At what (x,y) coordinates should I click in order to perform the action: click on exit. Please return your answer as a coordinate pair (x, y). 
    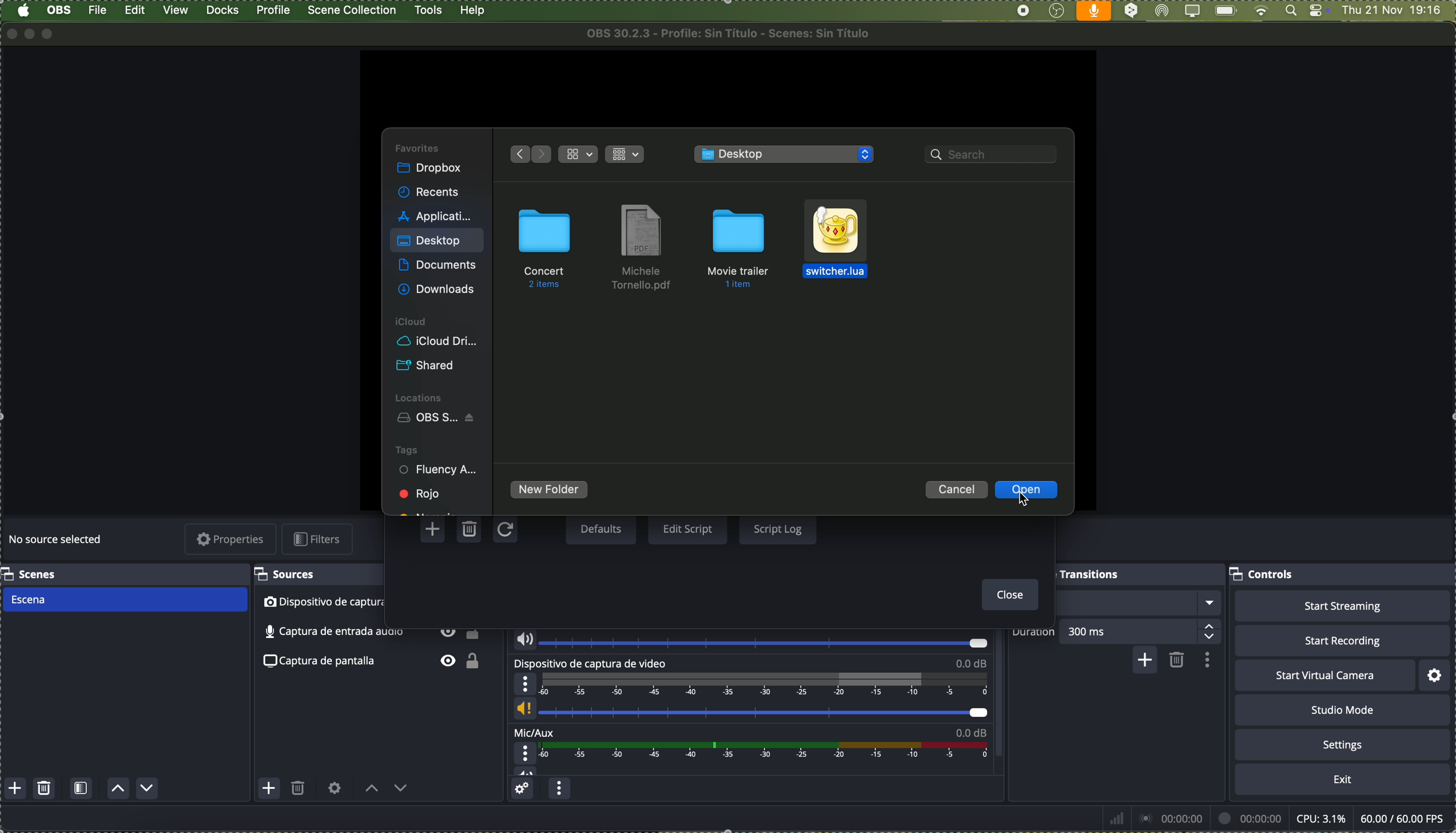
    Looking at the image, I should click on (1343, 780).